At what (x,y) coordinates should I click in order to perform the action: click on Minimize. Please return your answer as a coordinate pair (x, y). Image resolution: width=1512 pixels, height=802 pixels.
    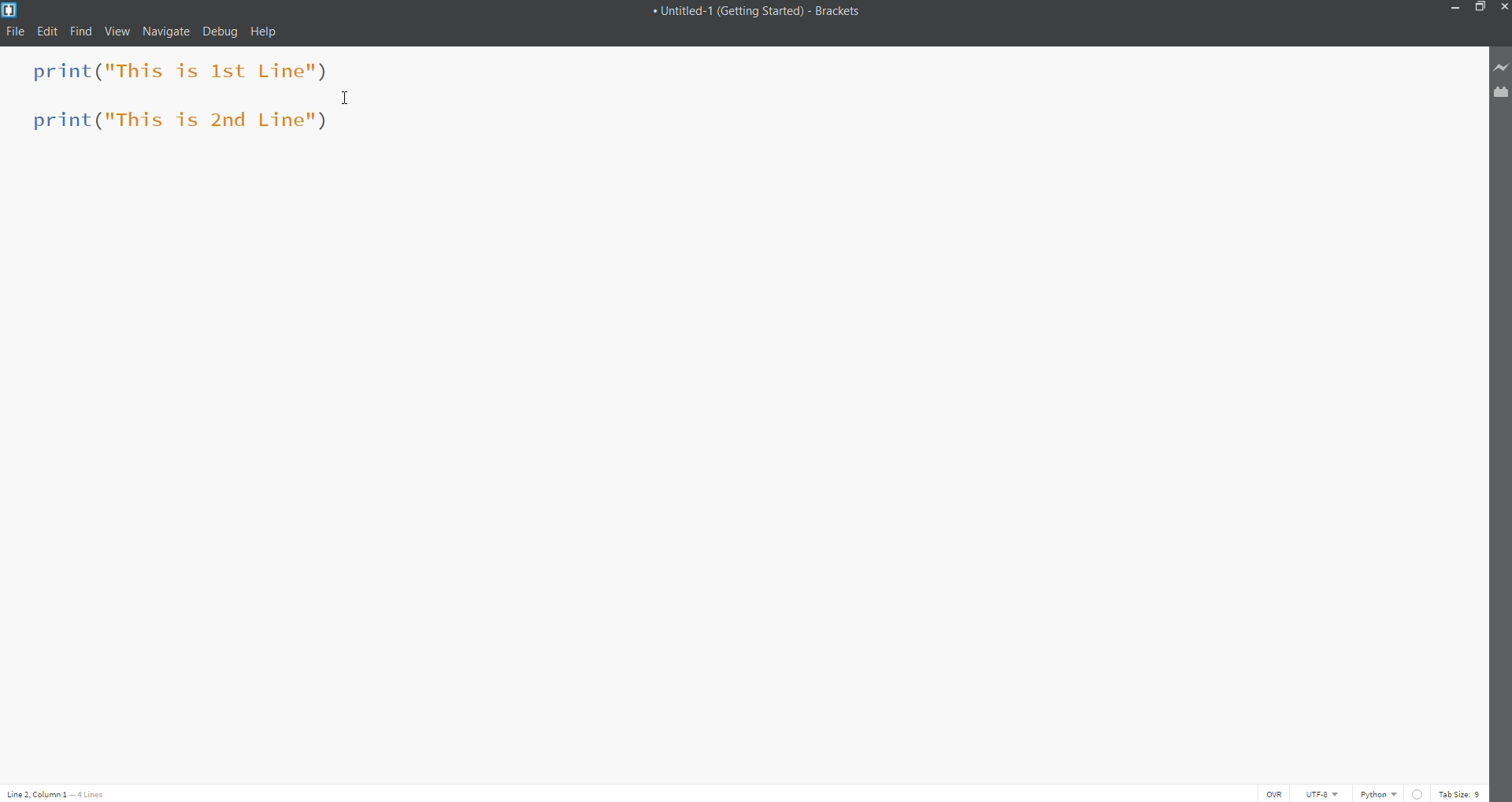
    Looking at the image, I should click on (1454, 8).